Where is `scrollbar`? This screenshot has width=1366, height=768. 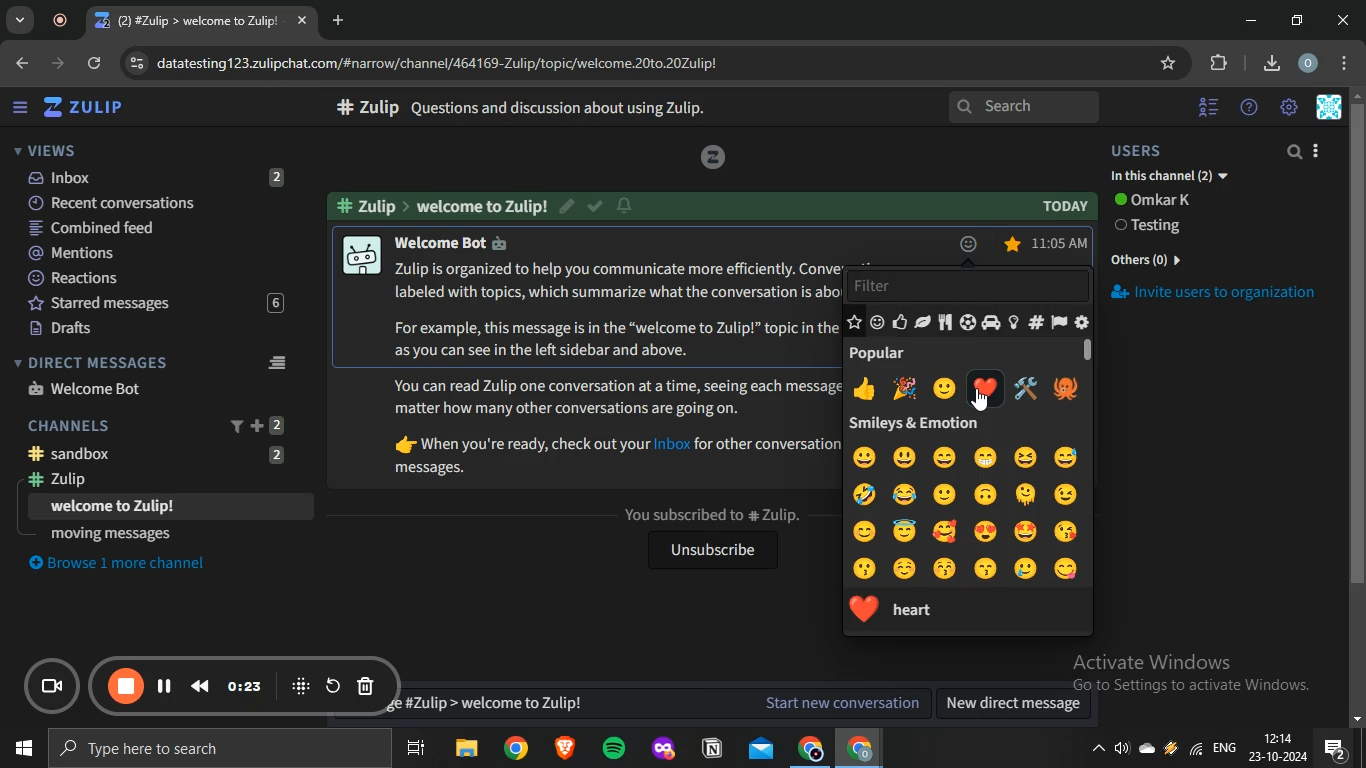 scrollbar is located at coordinates (1357, 411).